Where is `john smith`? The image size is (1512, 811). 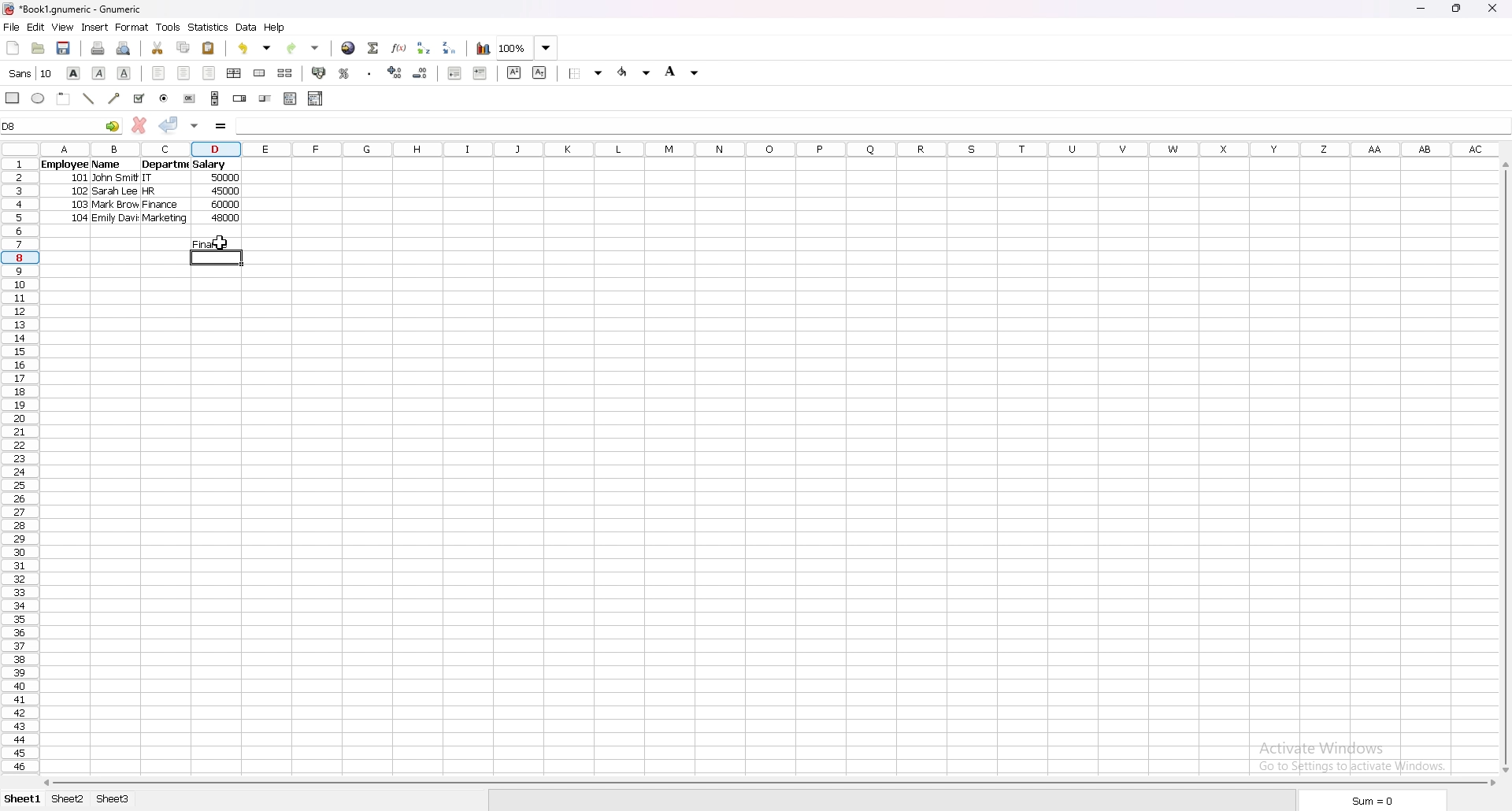 john smith is located at coordinates (114, 179).